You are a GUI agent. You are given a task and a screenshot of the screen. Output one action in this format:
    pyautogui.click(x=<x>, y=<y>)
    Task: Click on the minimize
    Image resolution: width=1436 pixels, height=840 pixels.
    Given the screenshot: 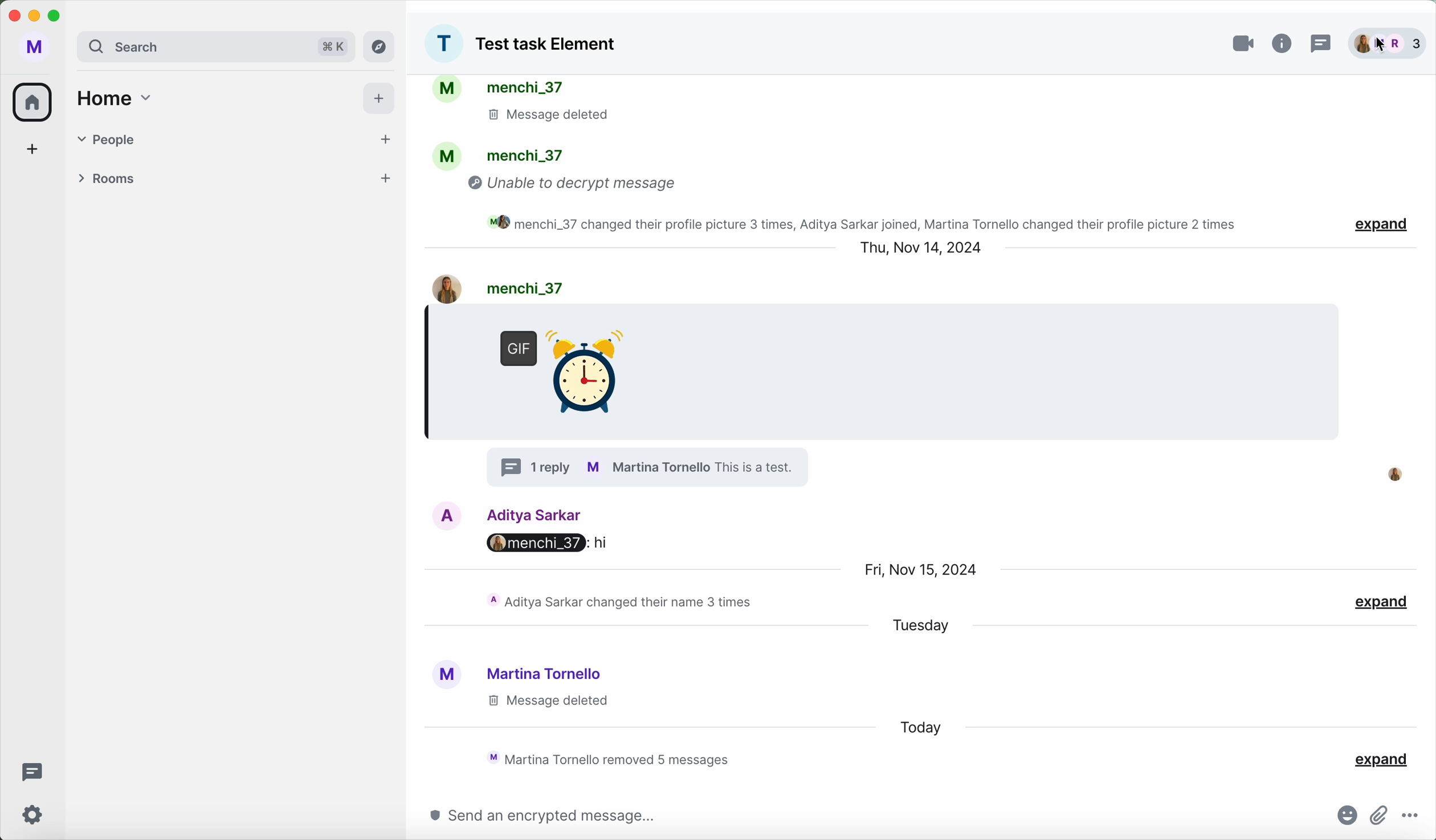 What is the action you would take?
    pyautogui.click(x=34, y=17)
    